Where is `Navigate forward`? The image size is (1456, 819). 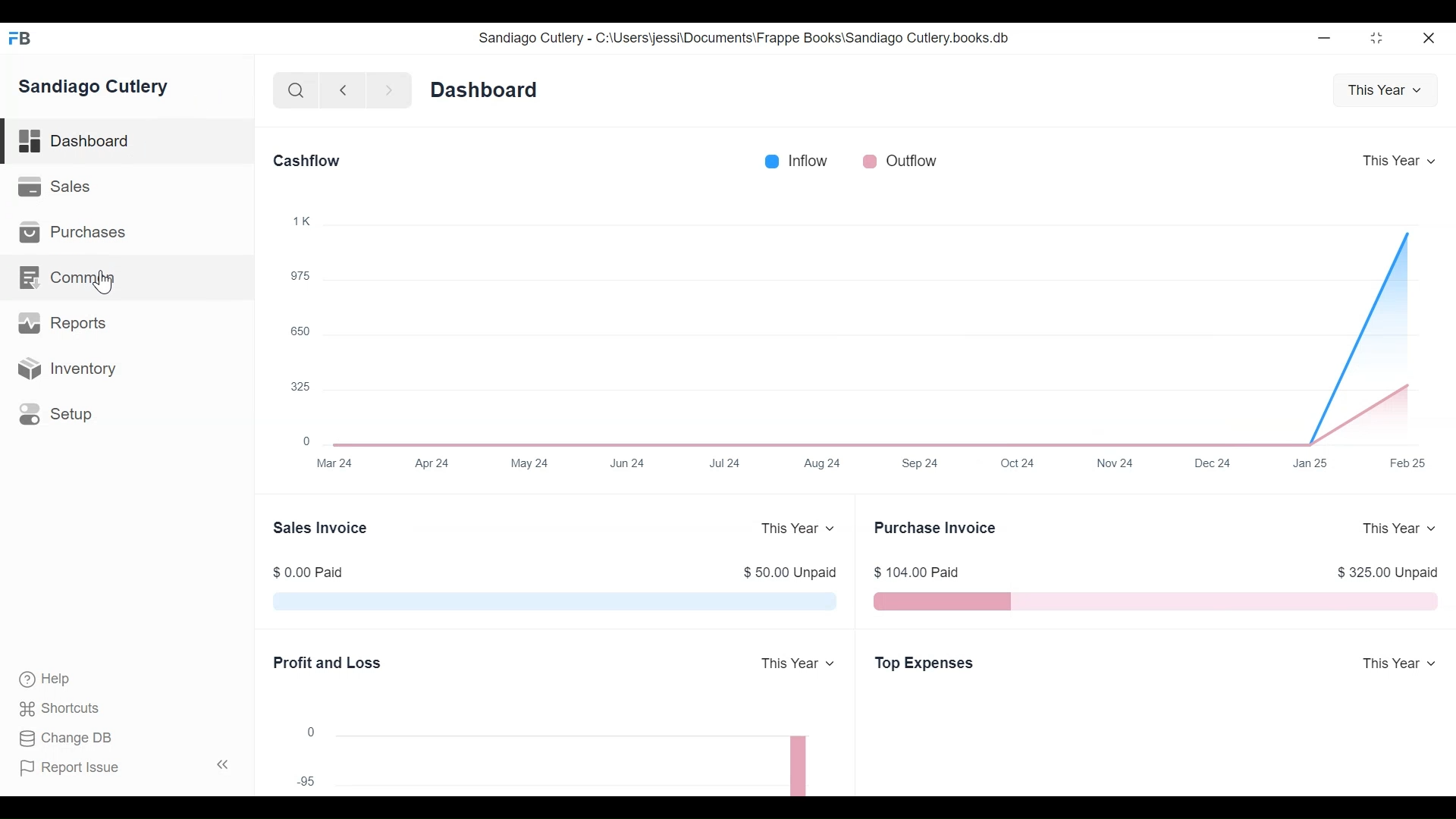 Navigate forward is located at coordinates (388, 91).